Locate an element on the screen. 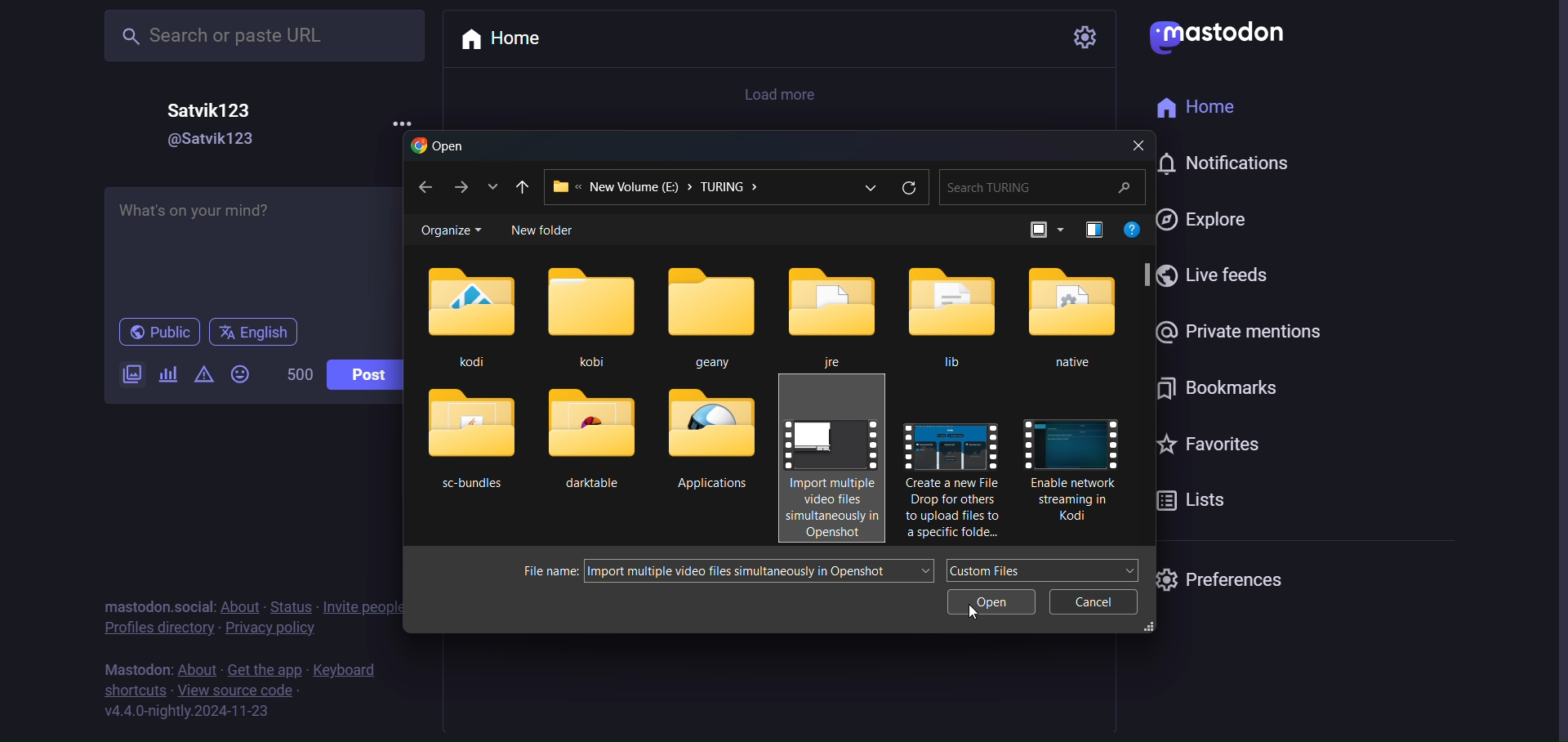 This screenshot has width=1568, height=742. Import multiple video files simultaneously in Openshot is located at coordinates (739, 570).